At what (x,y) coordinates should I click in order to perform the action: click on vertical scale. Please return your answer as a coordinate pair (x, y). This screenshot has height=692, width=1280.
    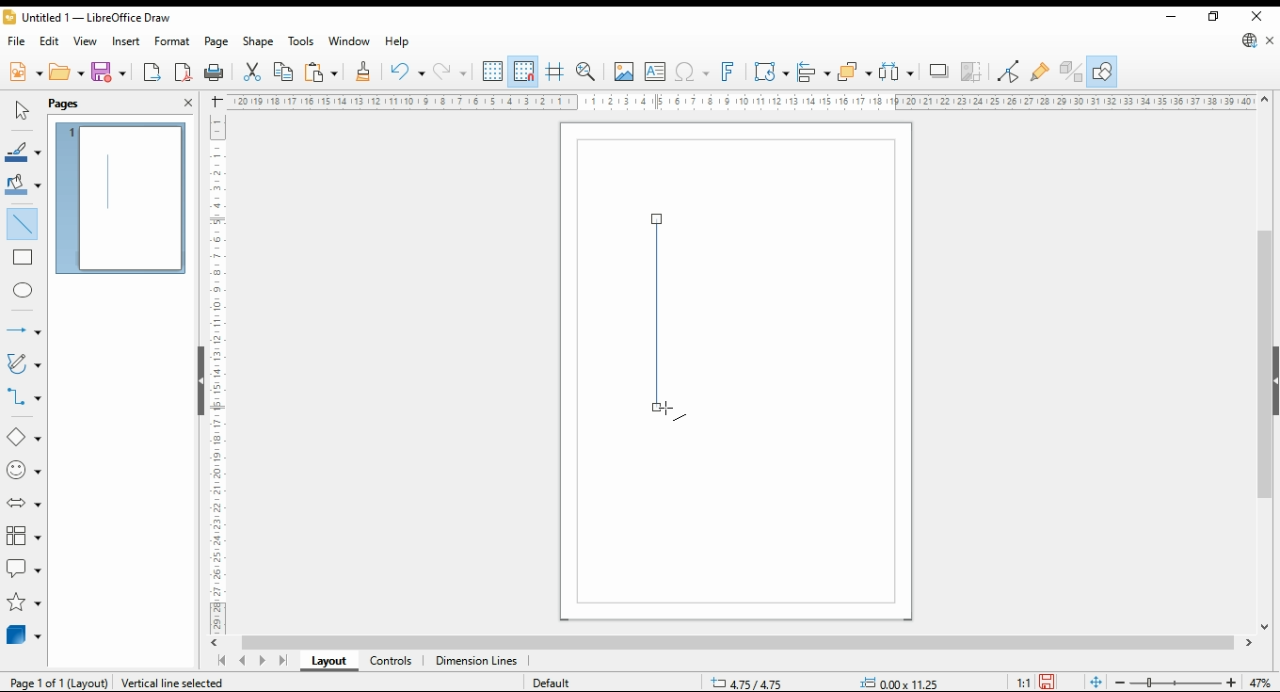
    Looking at the image, I should click on (216, 370).